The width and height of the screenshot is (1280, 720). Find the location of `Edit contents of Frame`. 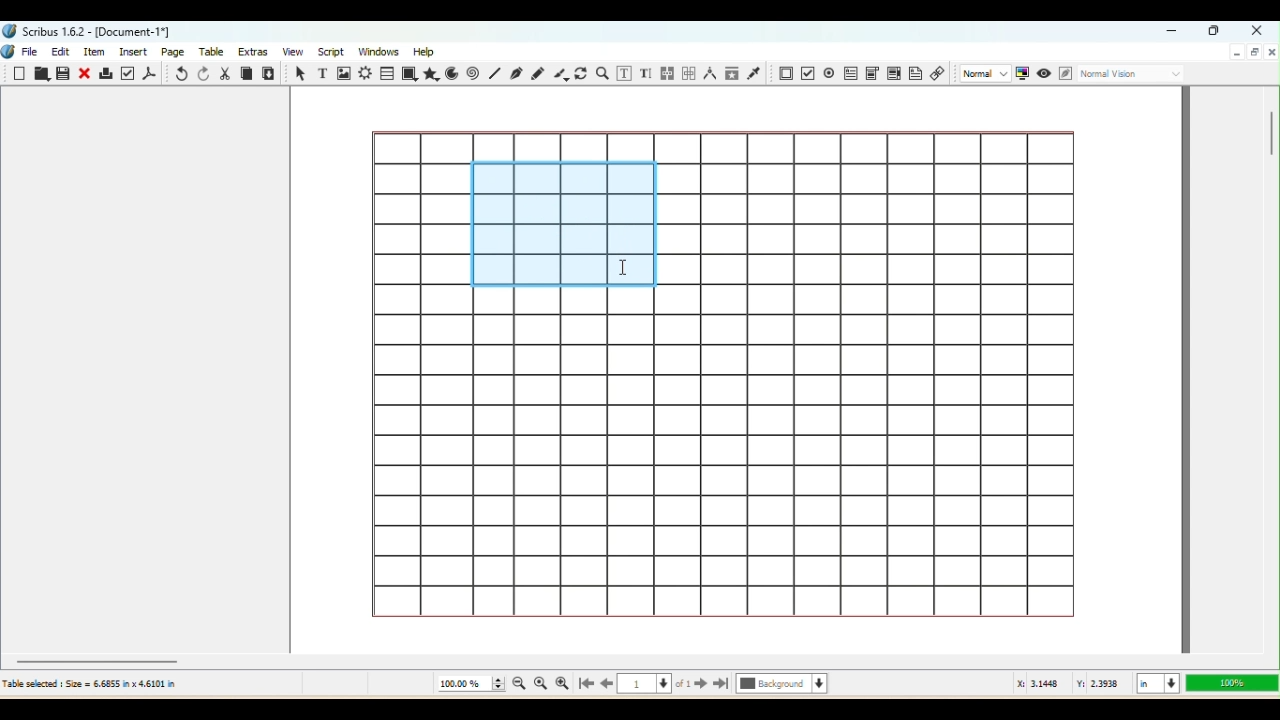

Edit contents of Frame is located at coordinates (626, 74).